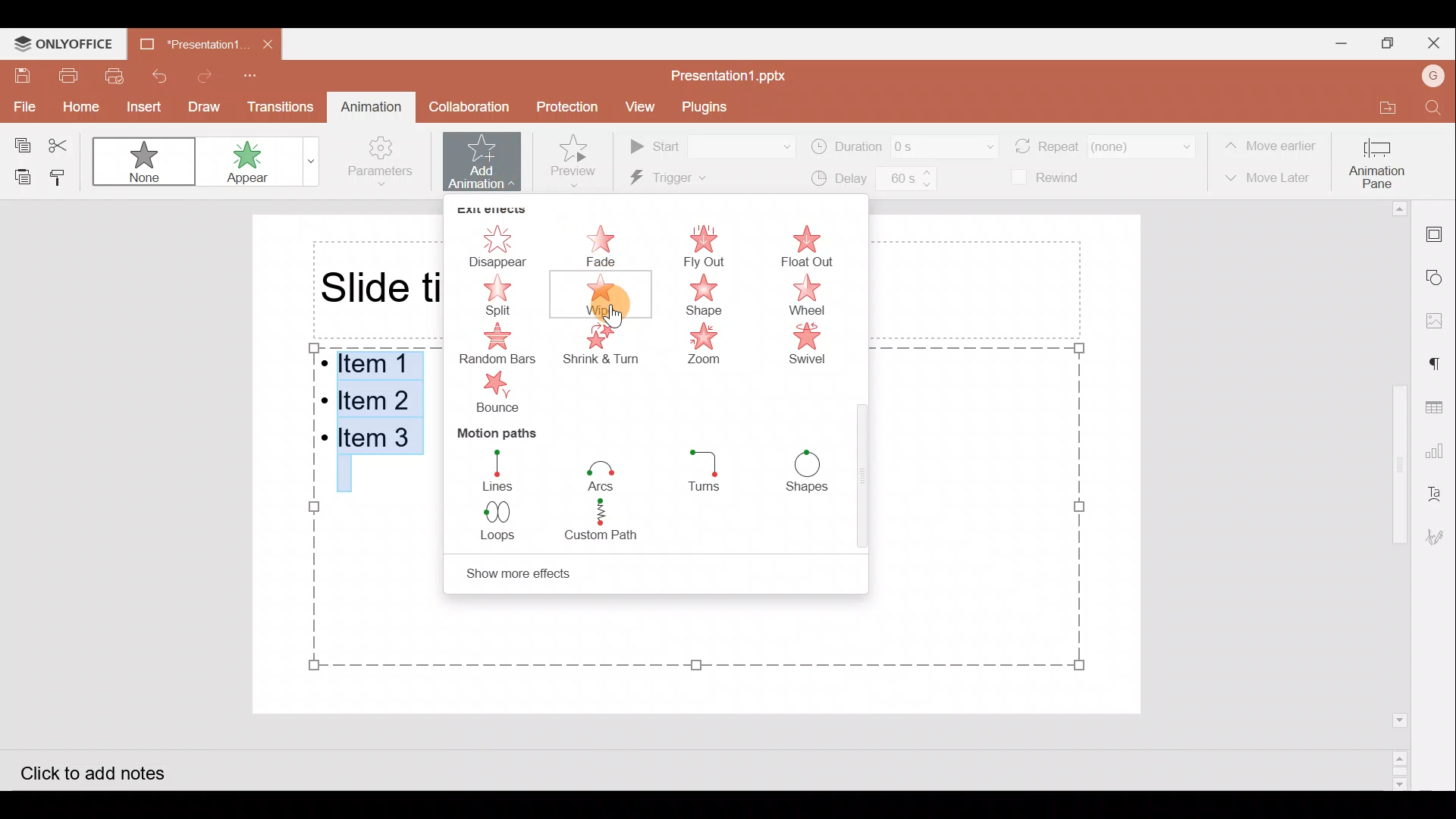 The image size is (1456, 819). I want to click on Move later, so click(1269, 179).